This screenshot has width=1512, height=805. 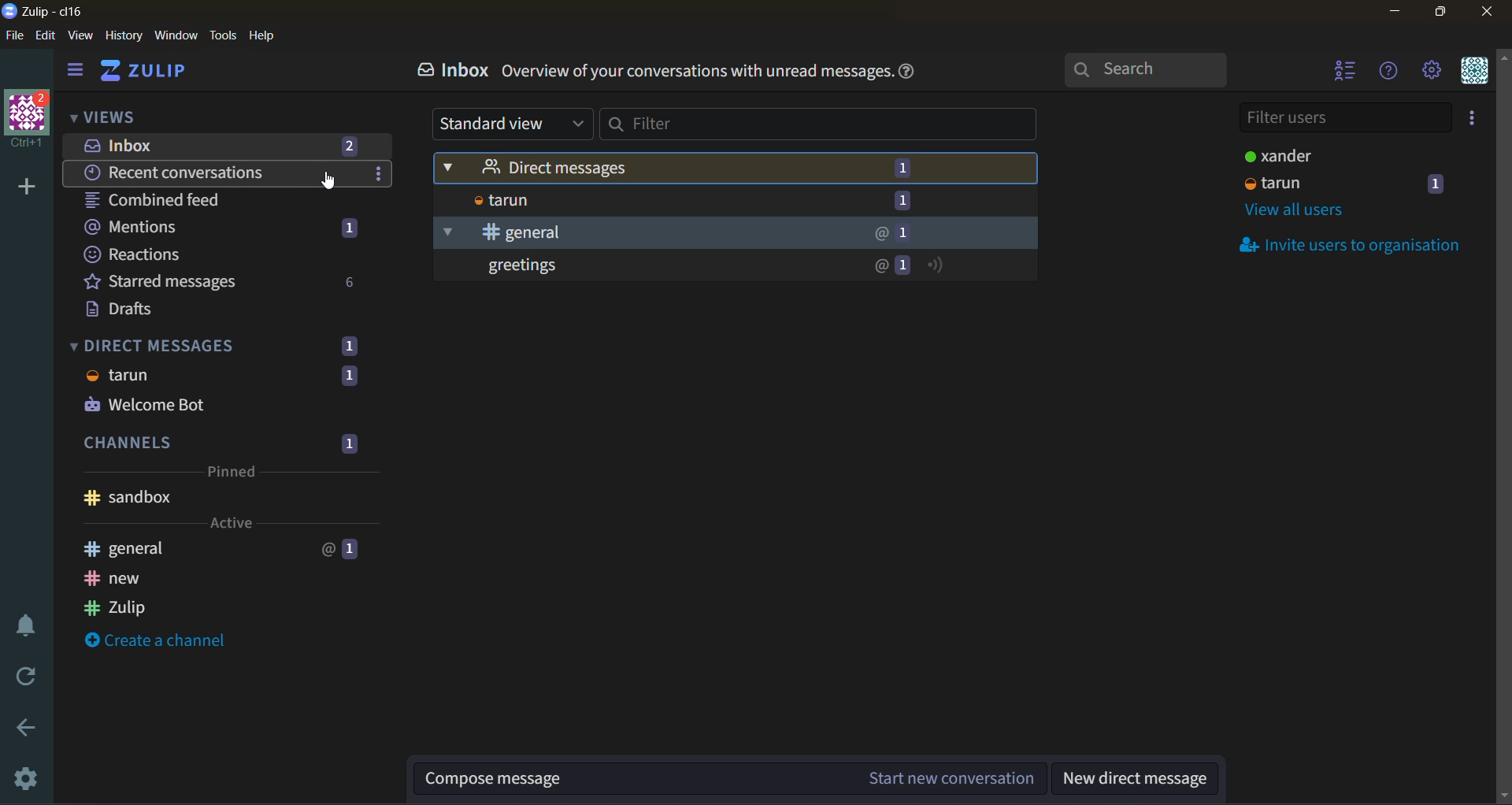 I want to click on drafts, so click(x=132, y=310).